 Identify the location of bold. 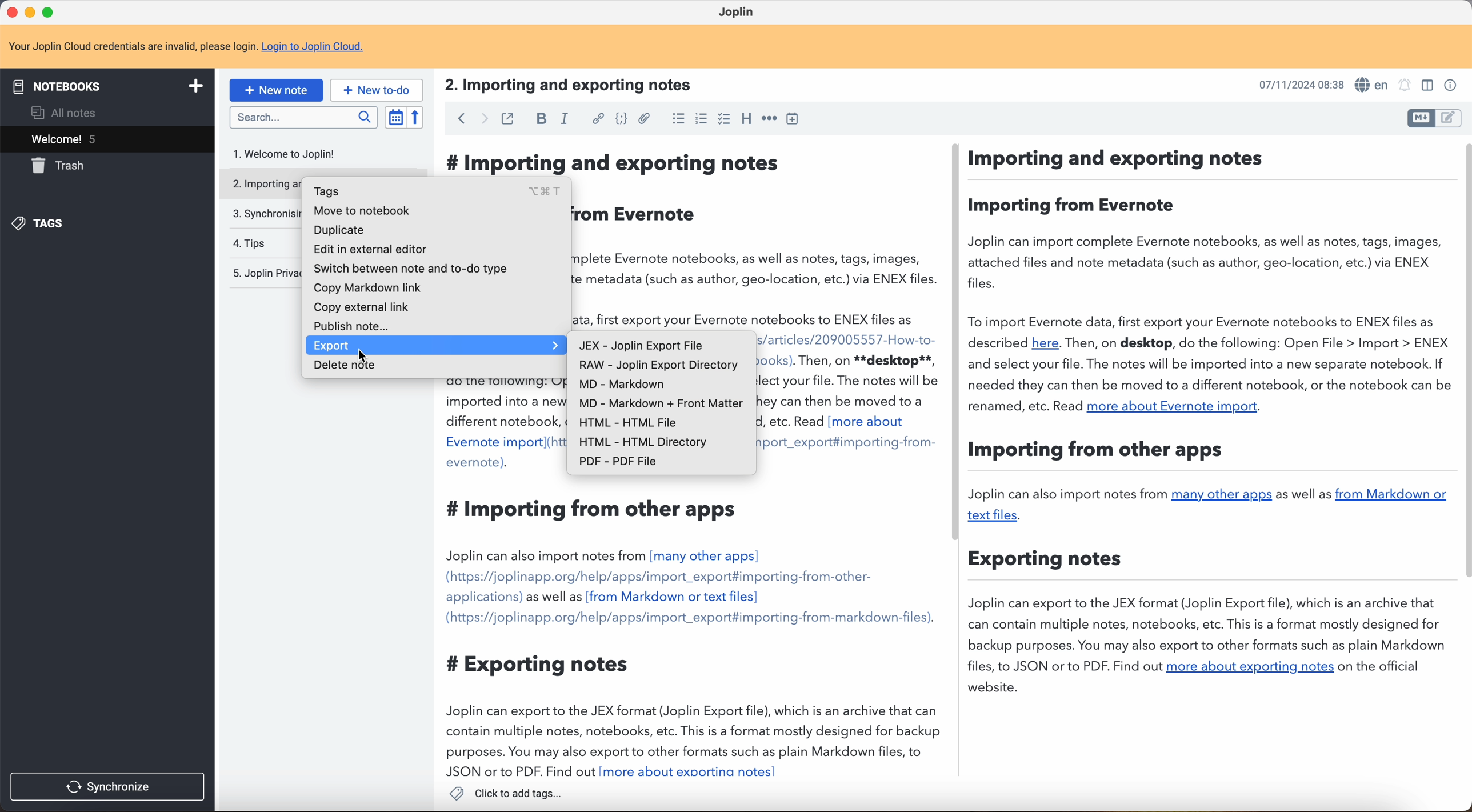
(543, 118).